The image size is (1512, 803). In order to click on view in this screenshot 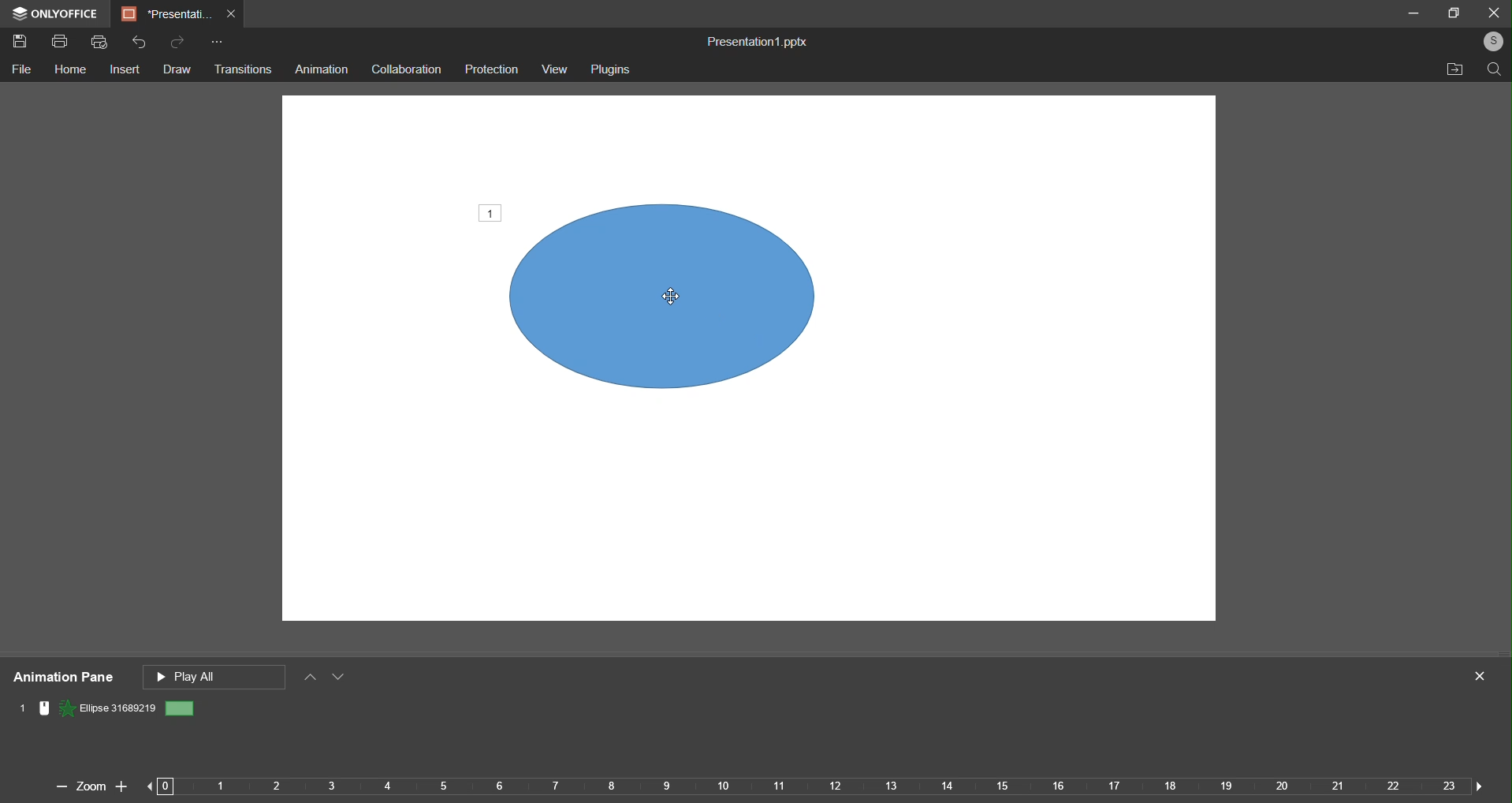, I will do `click(553, 69)`.